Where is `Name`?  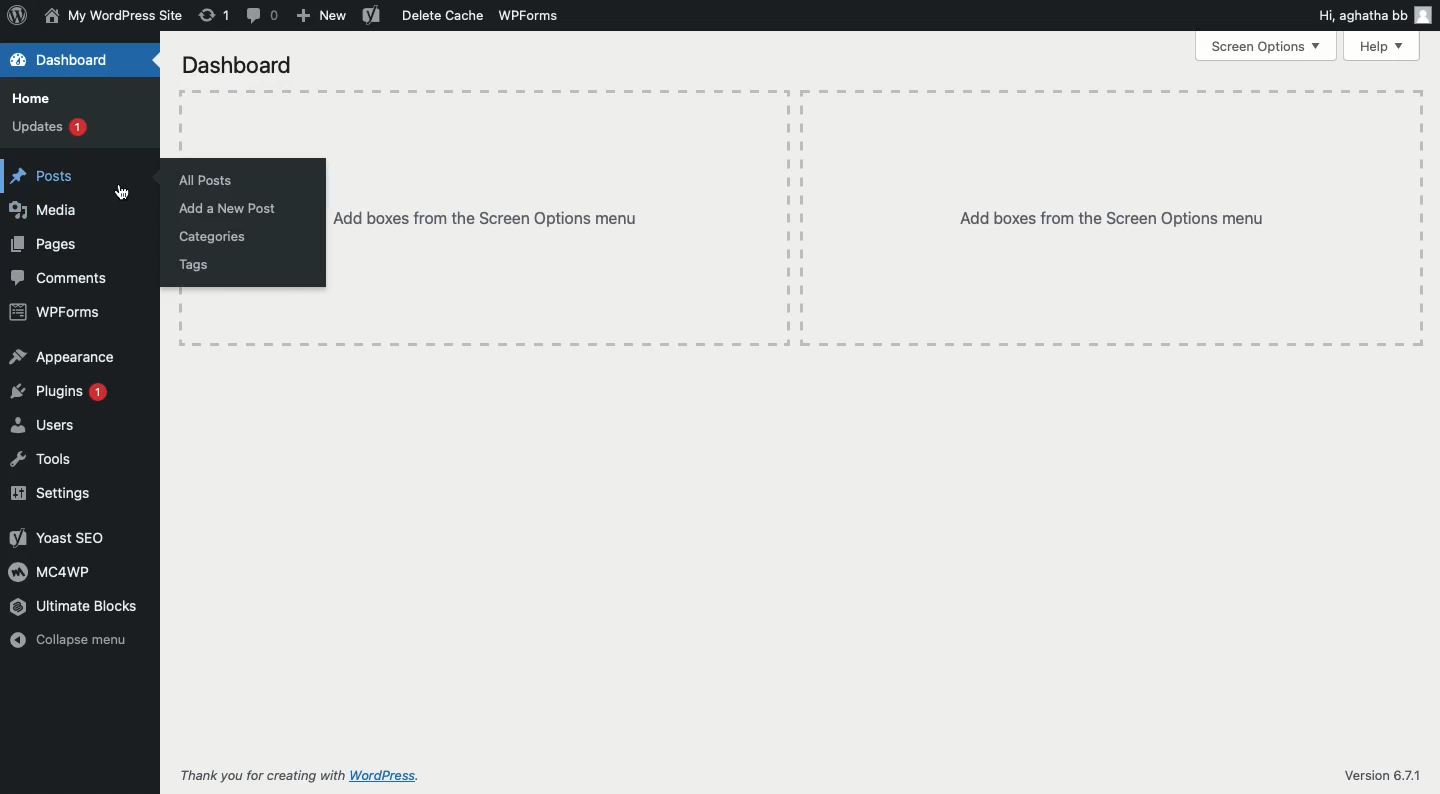 Name is located at coordinates (113, 14).